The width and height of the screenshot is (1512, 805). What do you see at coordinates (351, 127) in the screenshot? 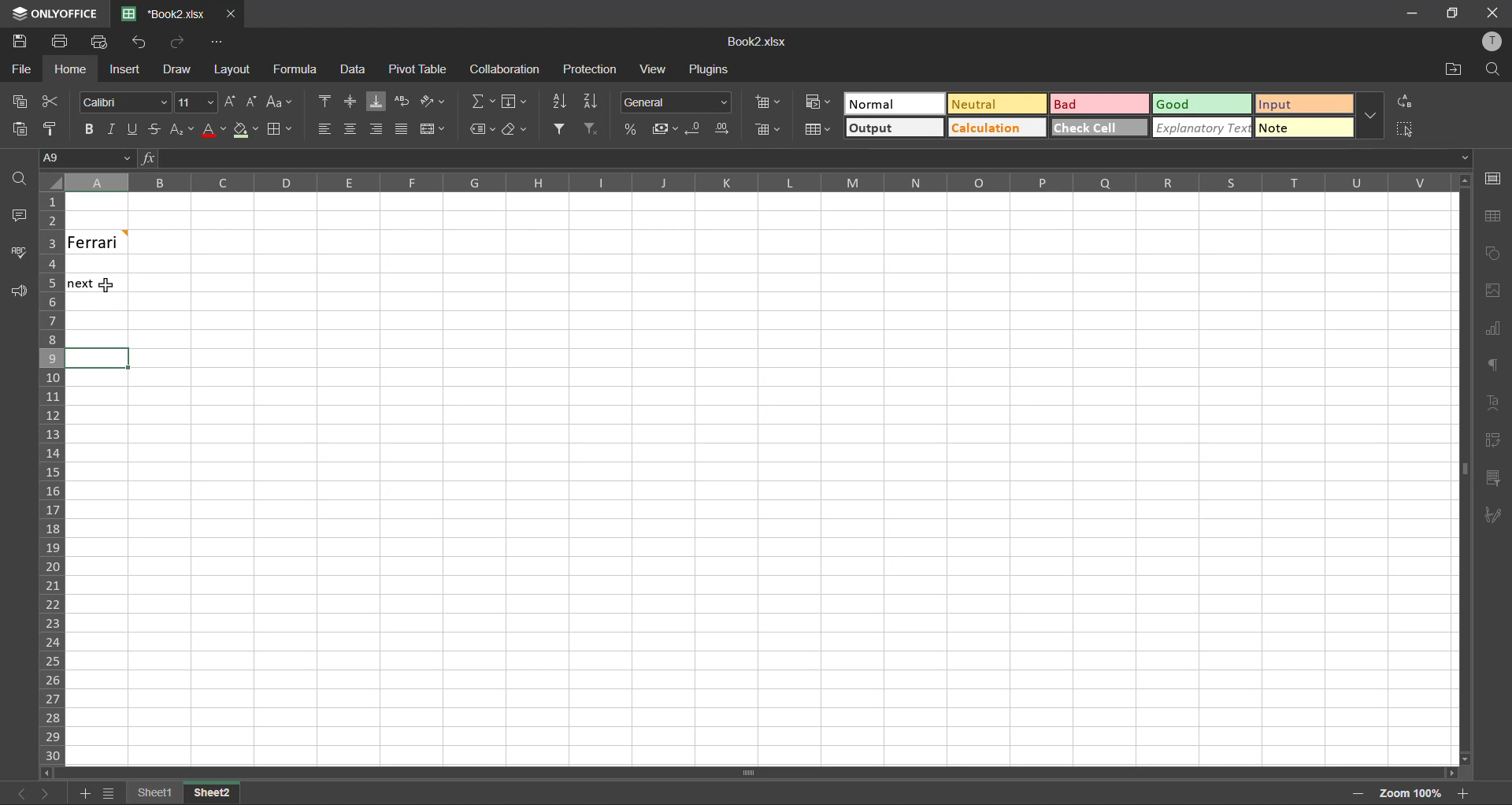
I see `align center` at bounding box center [351, 127].